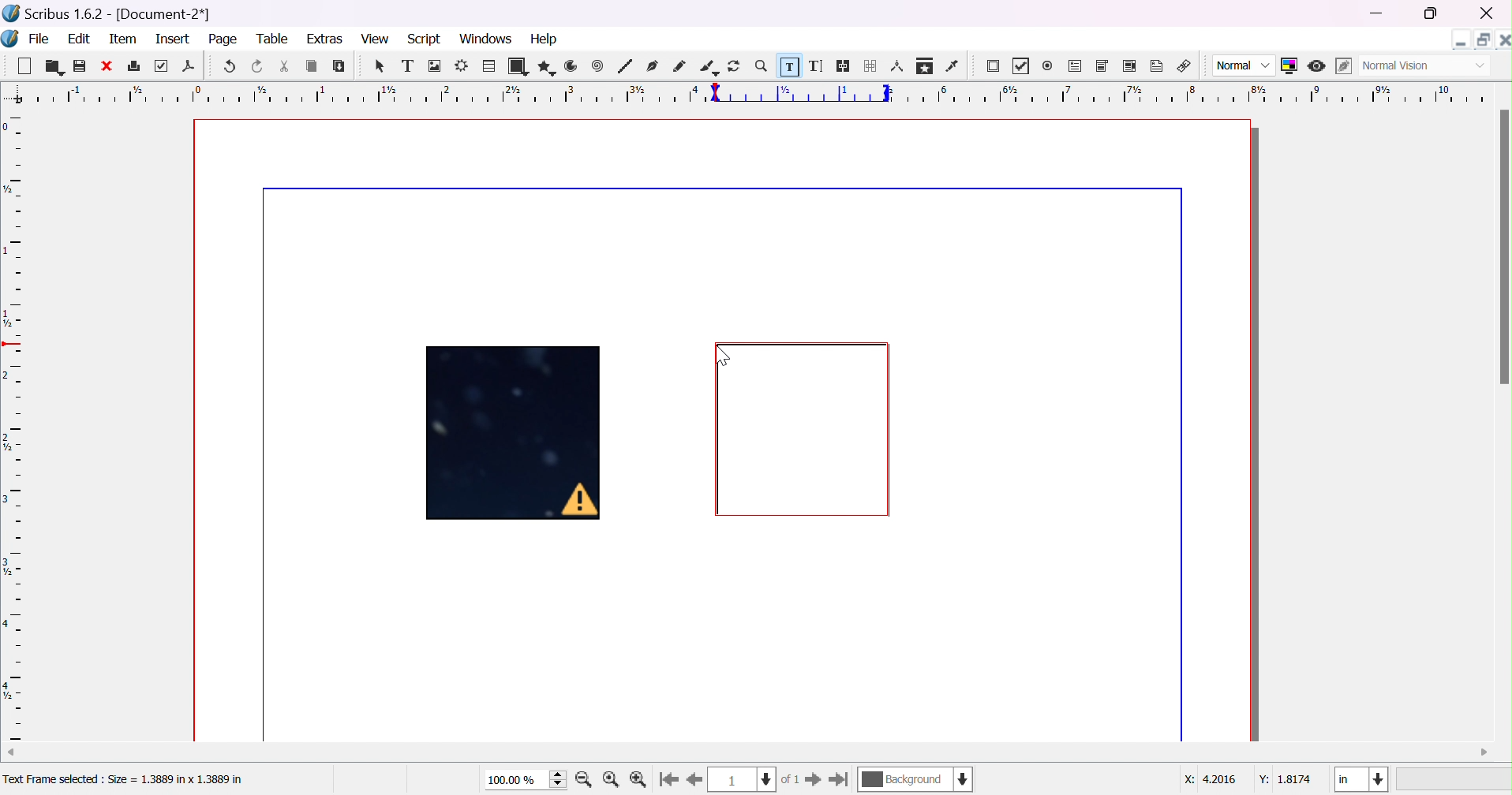 This screenshot has height=795, width=1512. What do you see at coordinates (1103, 66) in the screenshot?
I see `PDF combo box` at bounding box center [1103, 66].